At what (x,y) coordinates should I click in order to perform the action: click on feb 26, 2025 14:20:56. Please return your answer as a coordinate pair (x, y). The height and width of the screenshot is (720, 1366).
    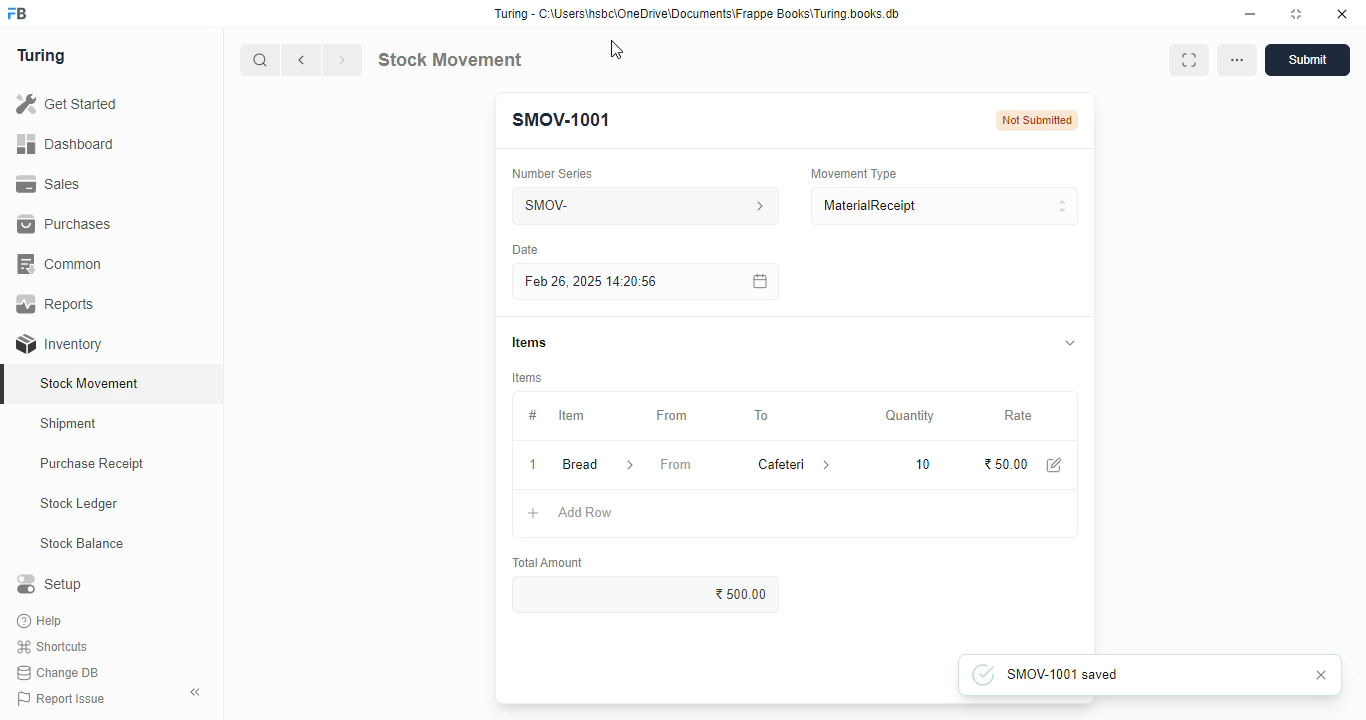
    Looking at the image, I should click on (595, 282).